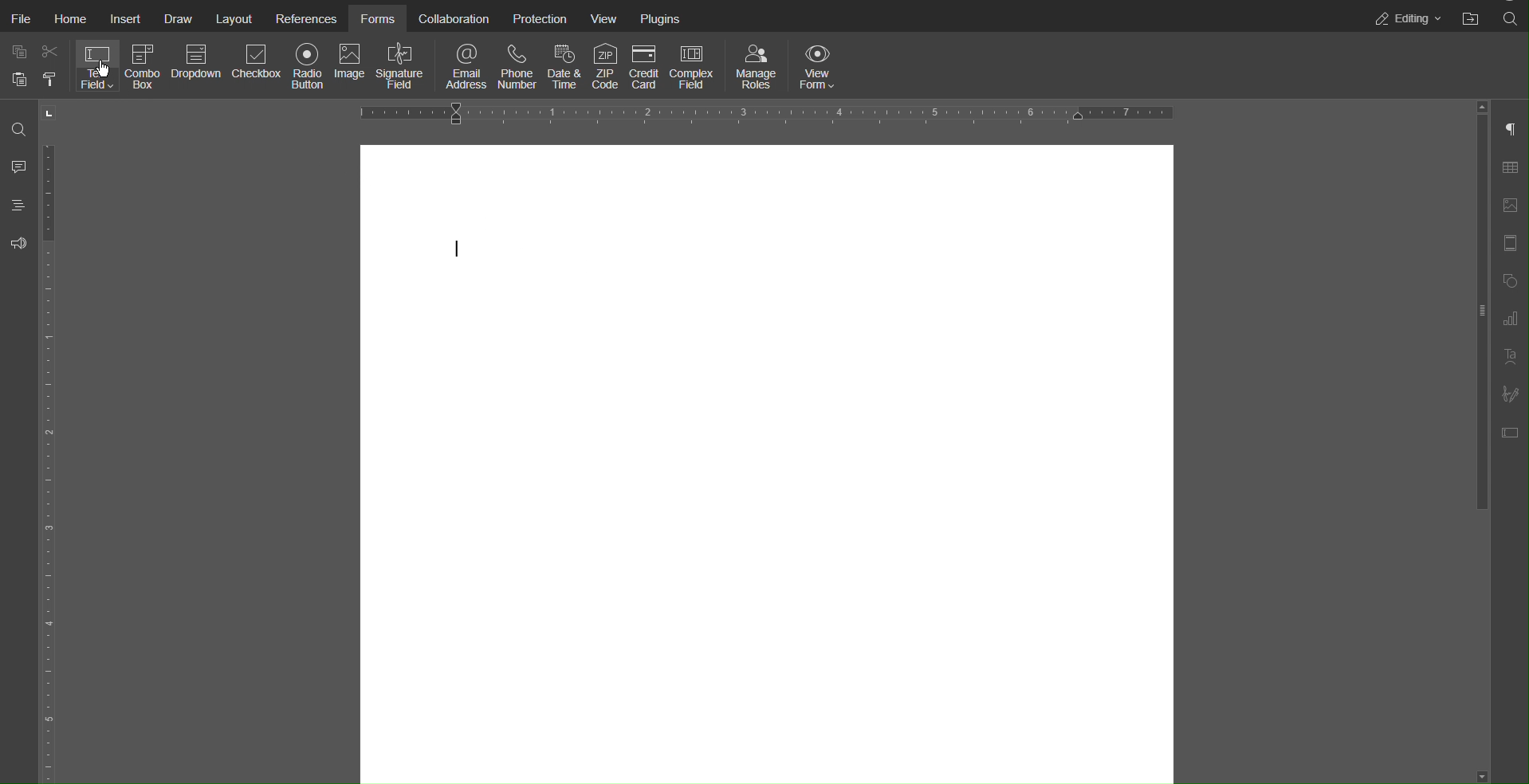 The width and height of the screenshot is (1529, 784). What do you see at coordinates (1511, 436) in the screenshot?
I see `Form Settings` at bounding box center [1511, 436].